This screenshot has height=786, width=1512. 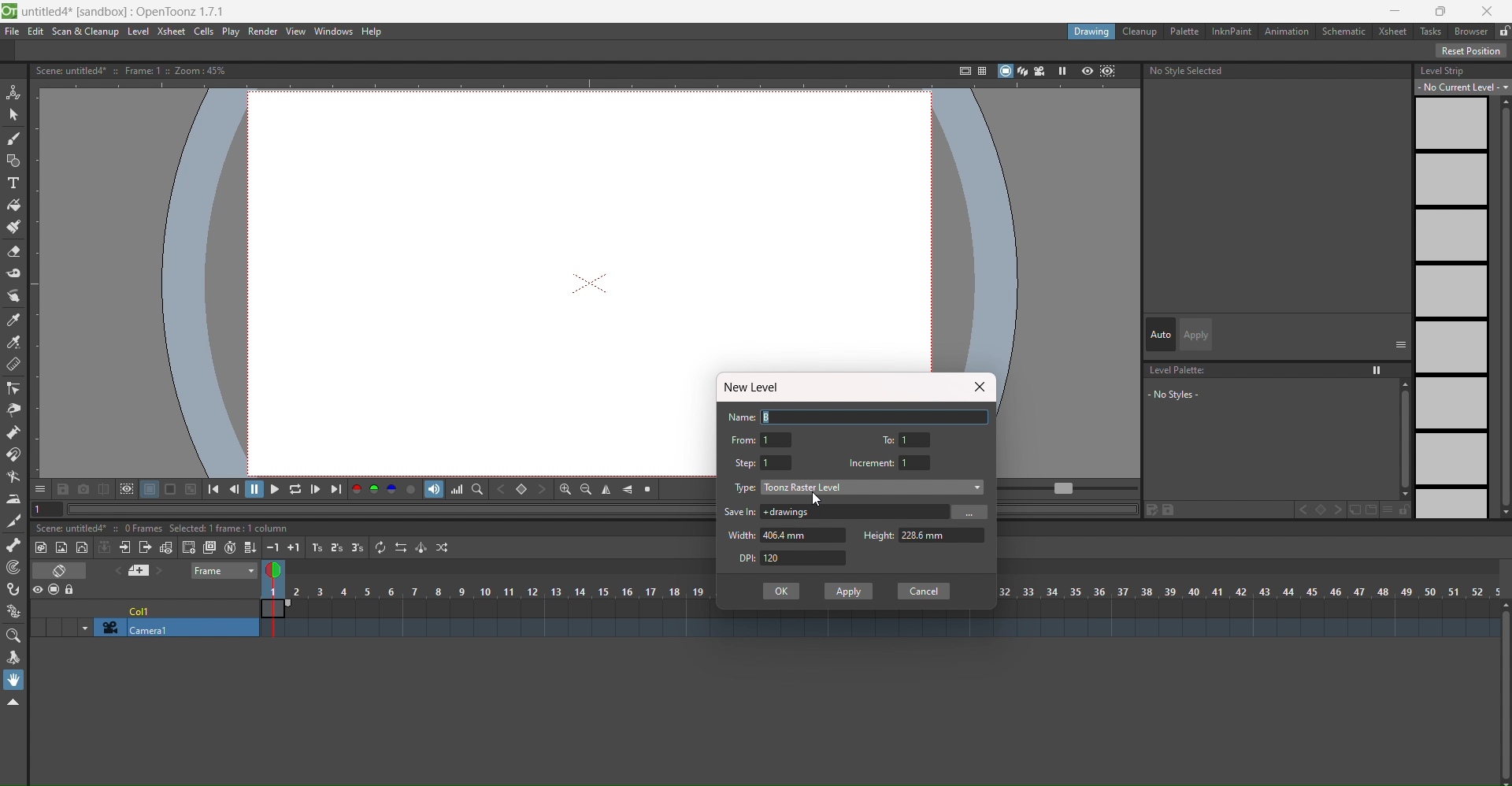 I want to click on options and lock, so click(x=1396, y=510).